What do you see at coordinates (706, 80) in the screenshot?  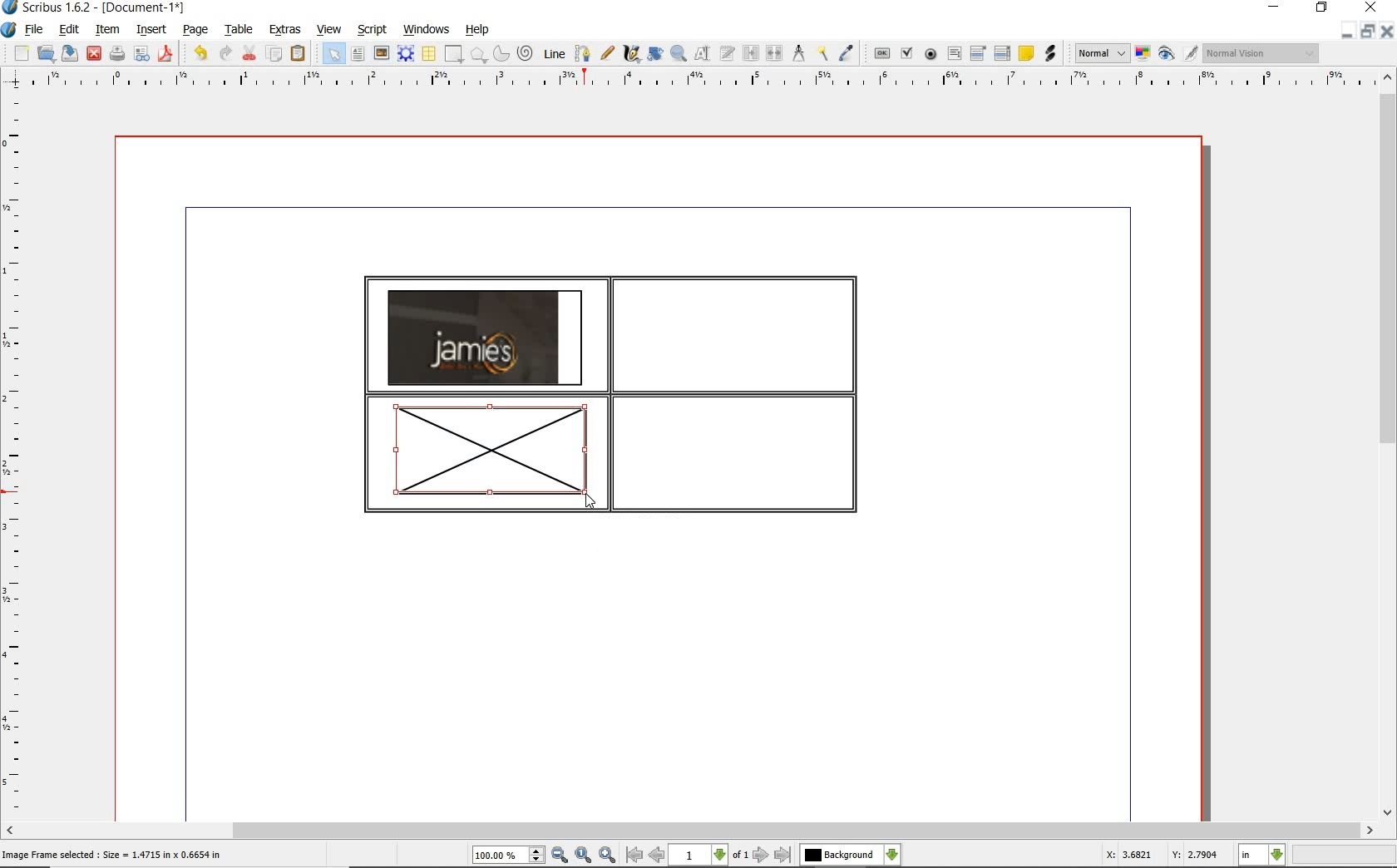 I see `ruler` at bounding box center [706, 80].